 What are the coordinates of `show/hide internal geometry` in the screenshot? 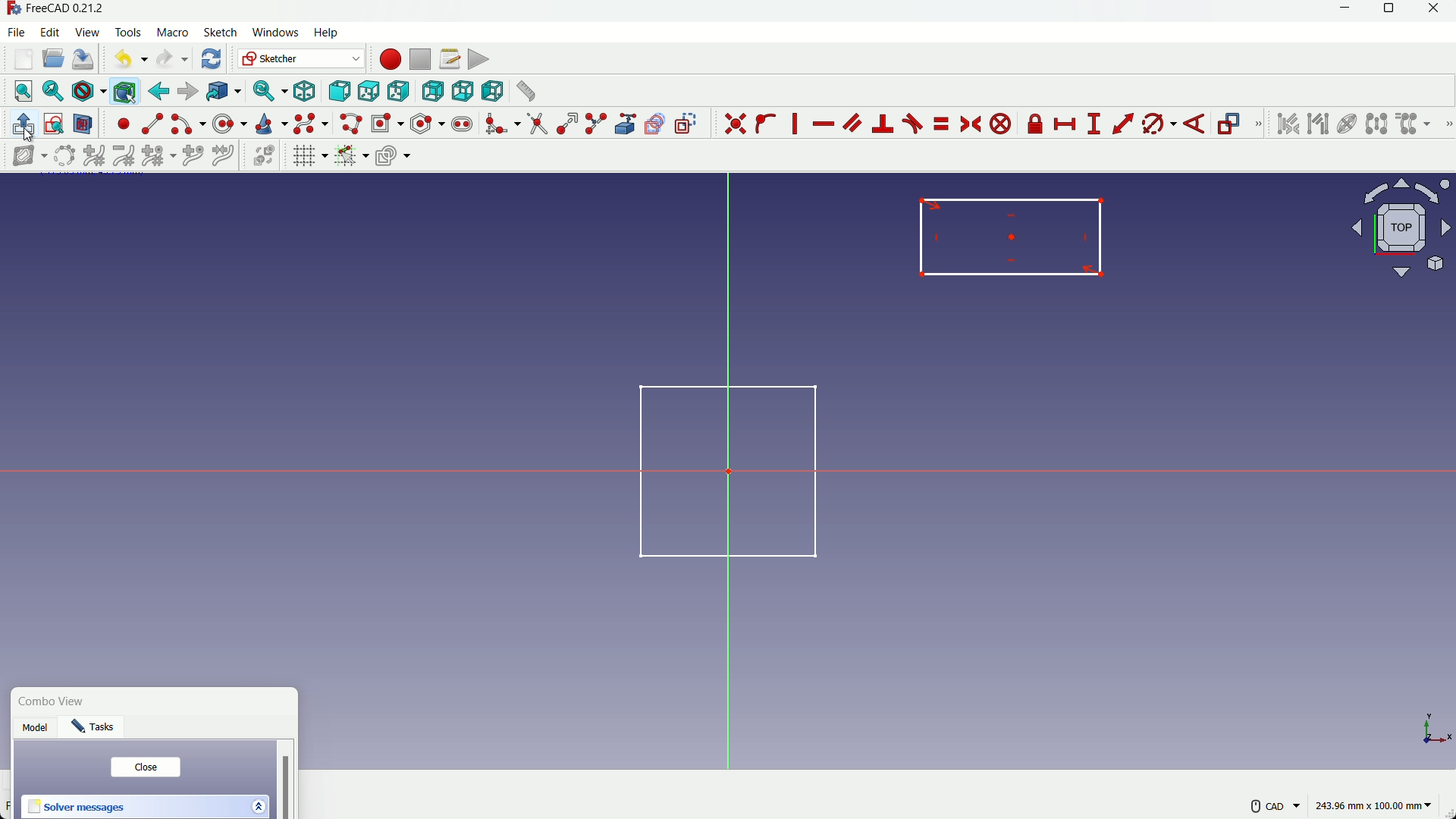 It's located at (1345, 124).